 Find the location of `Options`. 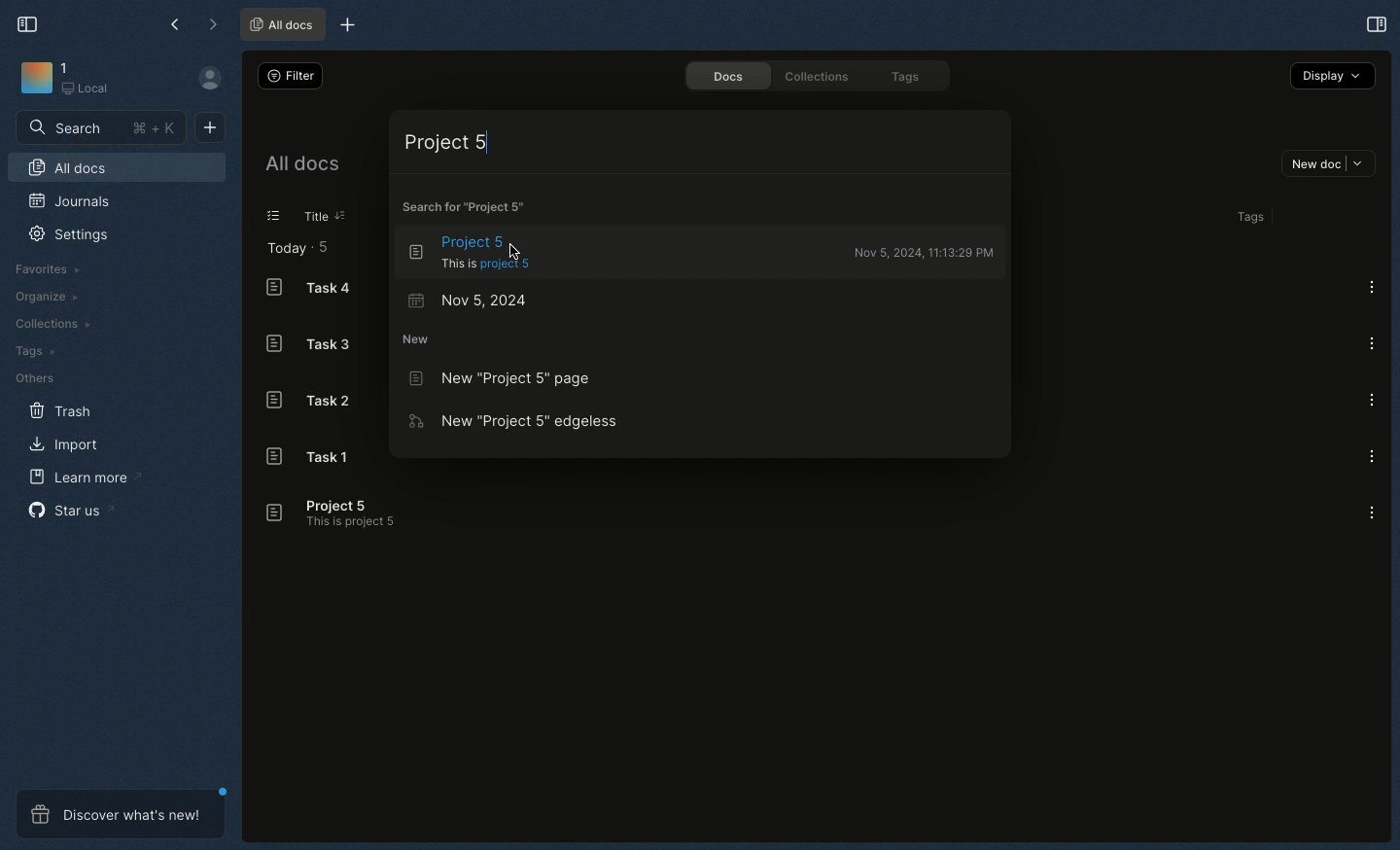

Options is located at coordinates (1374, 512).